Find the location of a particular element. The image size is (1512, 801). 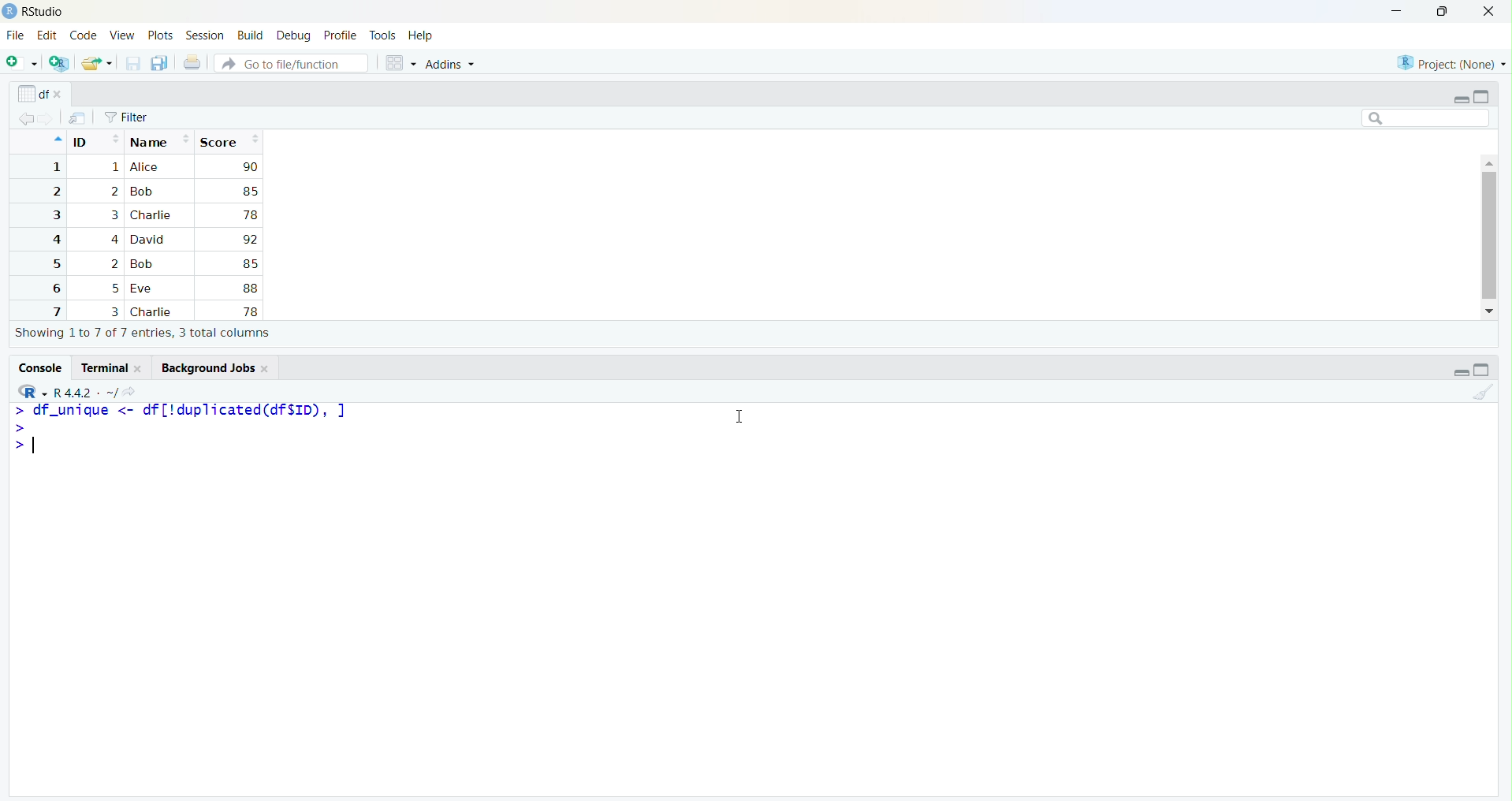

save all is located at coordinates (161, 64).